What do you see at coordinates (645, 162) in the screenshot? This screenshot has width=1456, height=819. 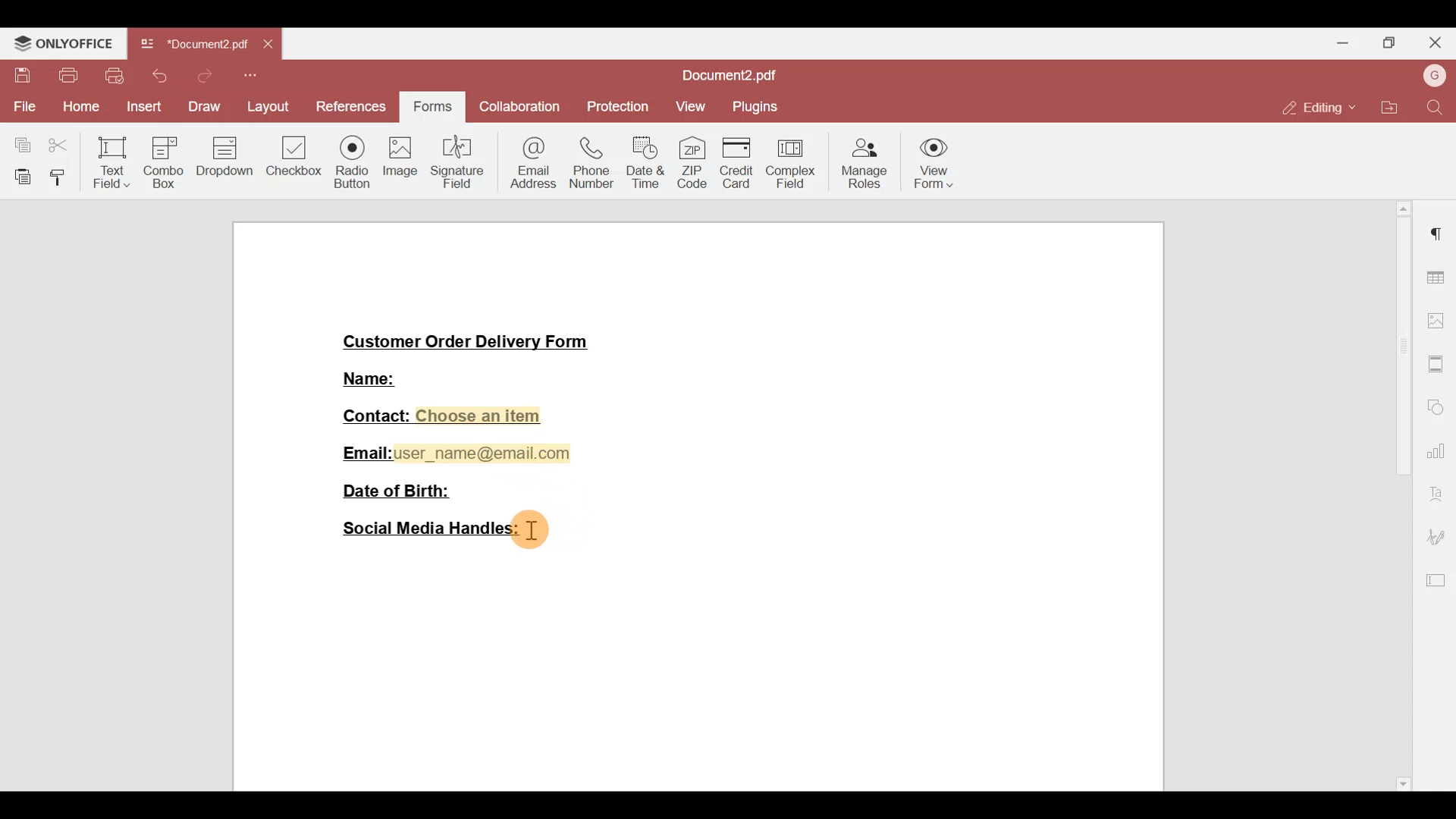 I see `Date & time` at bounding box center [645, 162].